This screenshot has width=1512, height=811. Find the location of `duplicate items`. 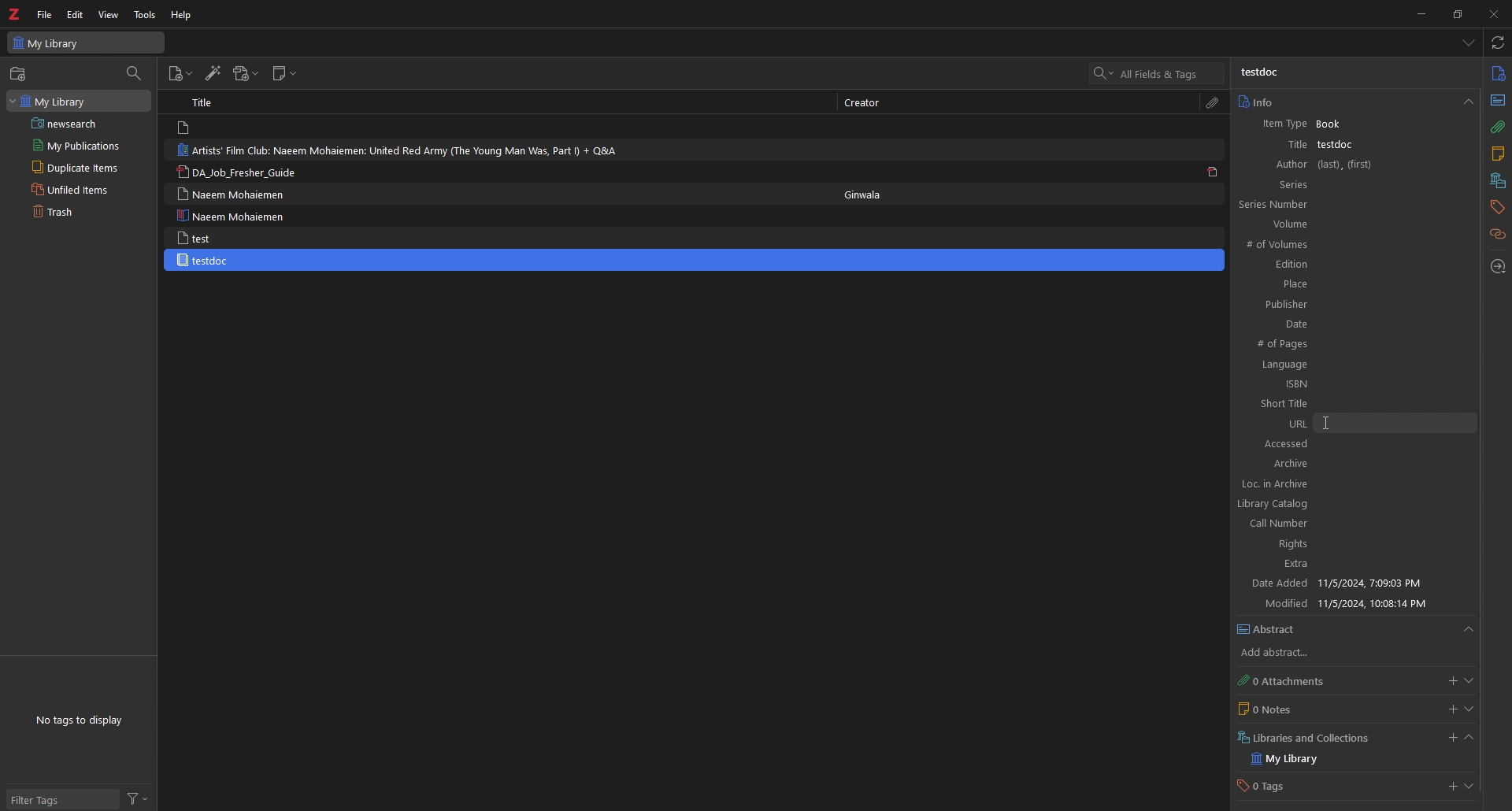

duplicate items is located at coordinates (76, 167).